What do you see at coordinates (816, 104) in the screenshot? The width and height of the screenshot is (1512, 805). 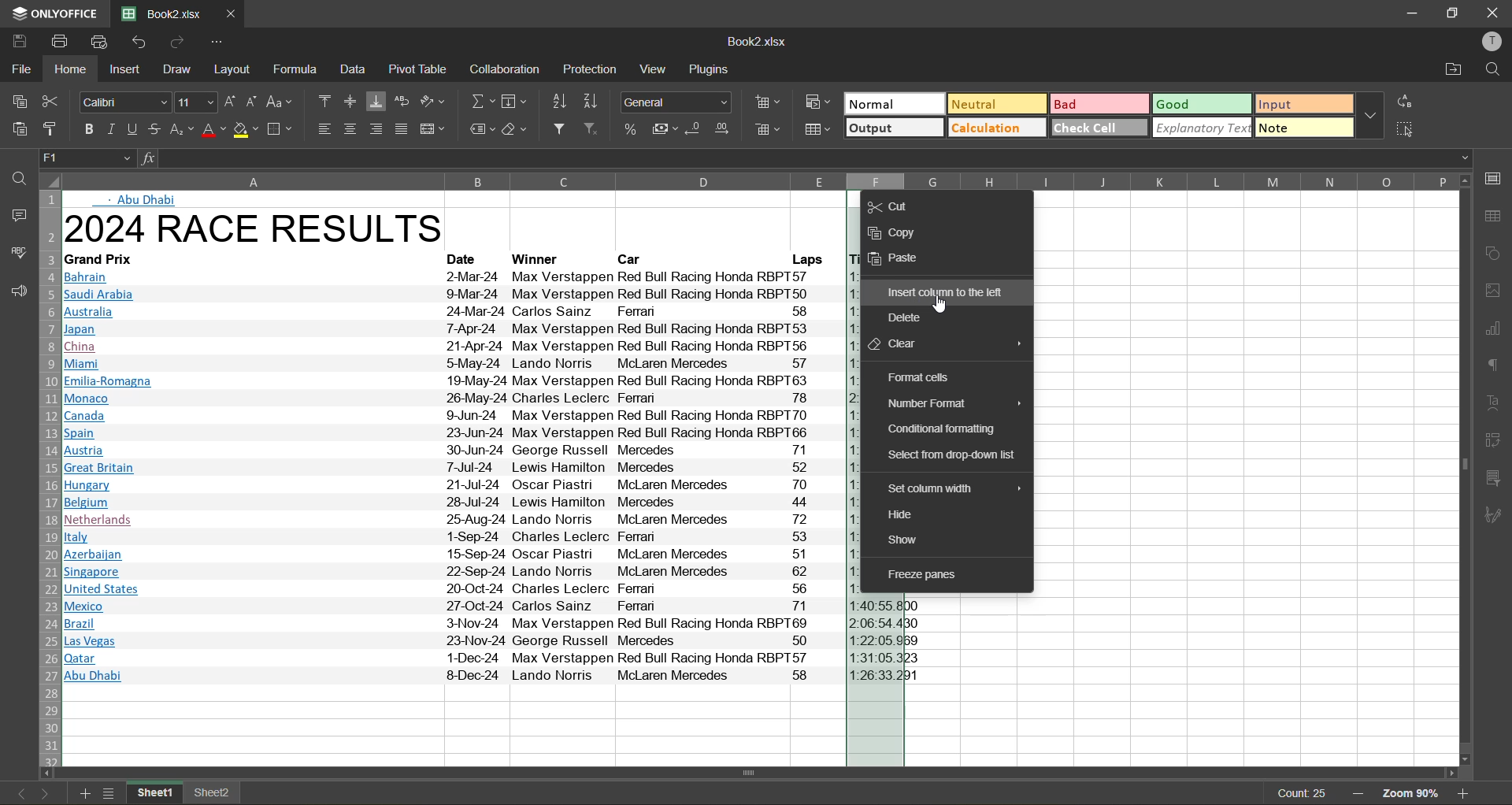 I see `conditional formatting` at bounding box center [816, 104].